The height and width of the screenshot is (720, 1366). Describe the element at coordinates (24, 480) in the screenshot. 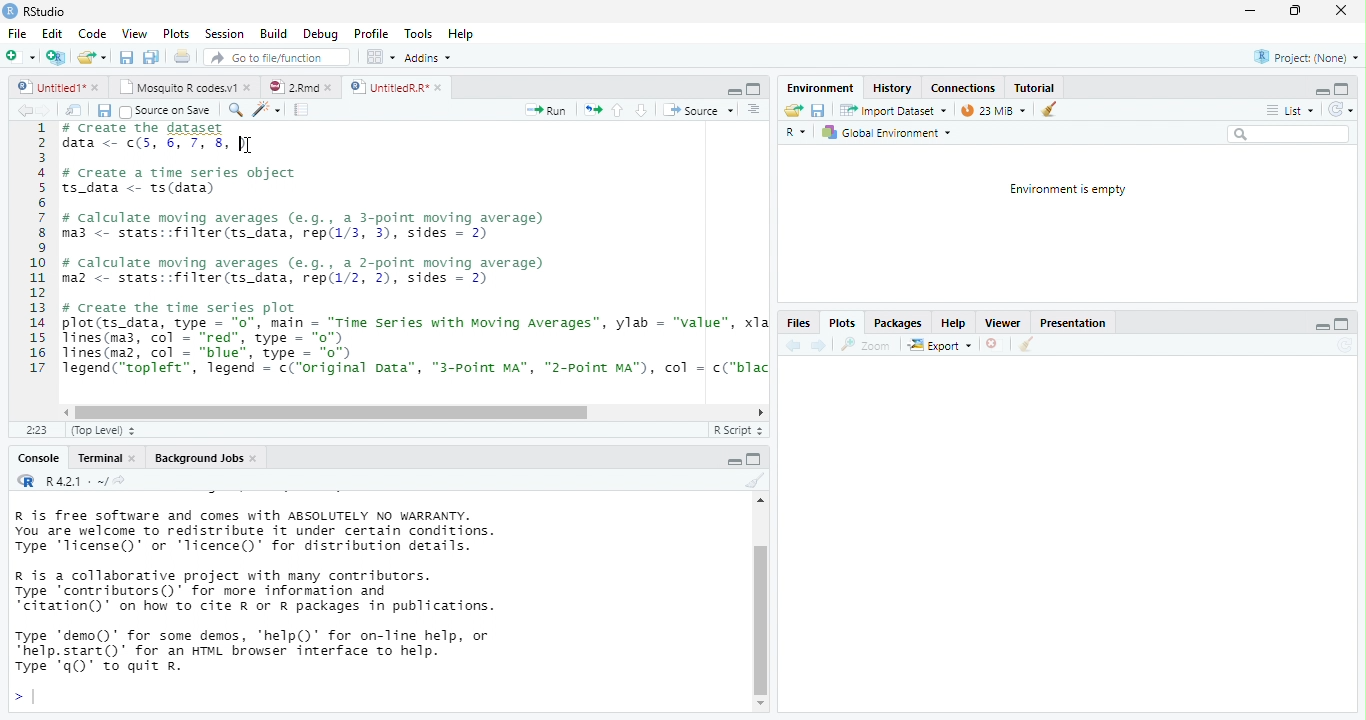

I see `R` at that location.